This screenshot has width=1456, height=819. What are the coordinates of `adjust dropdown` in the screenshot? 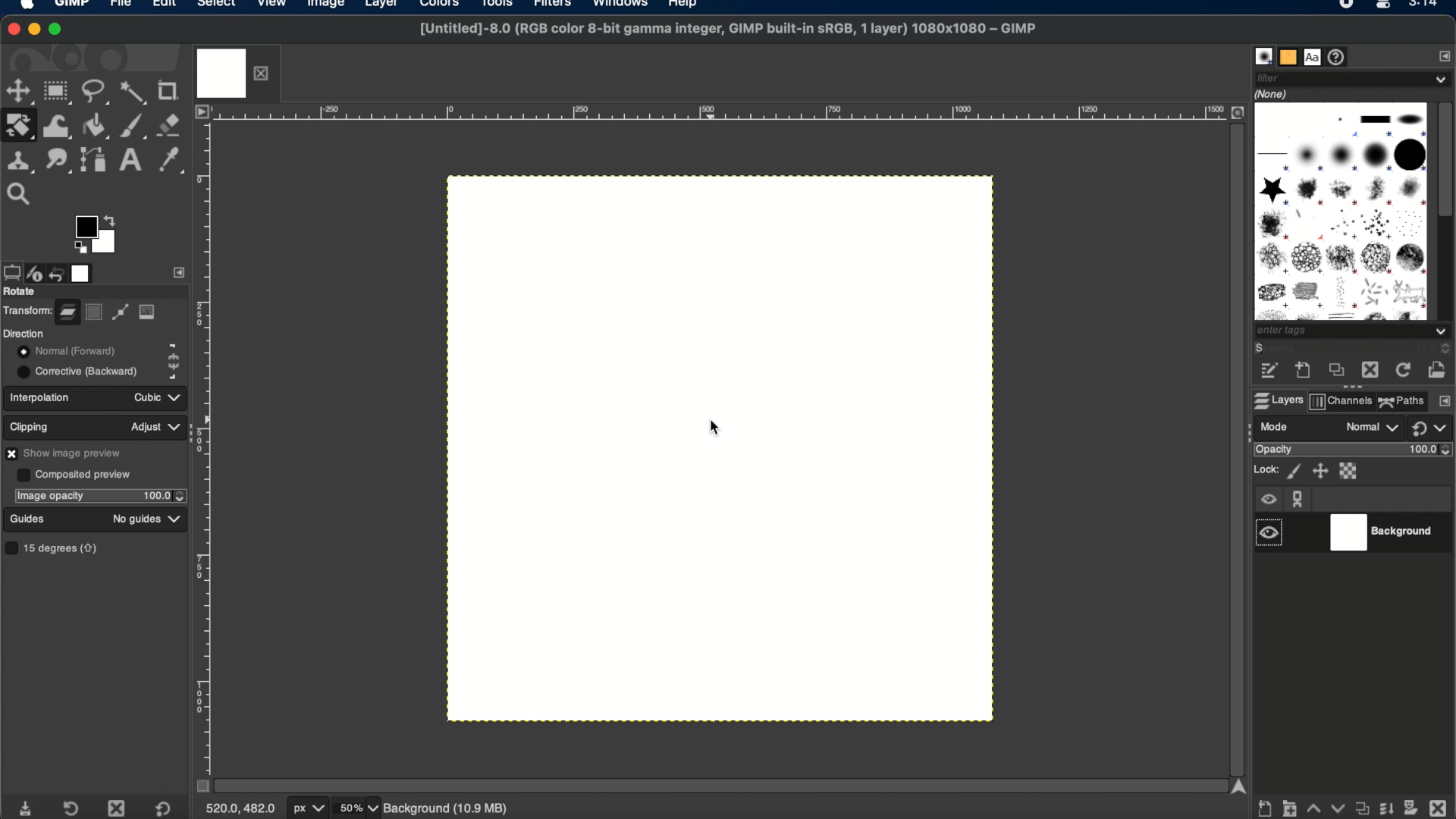 It's located at (155, 427).